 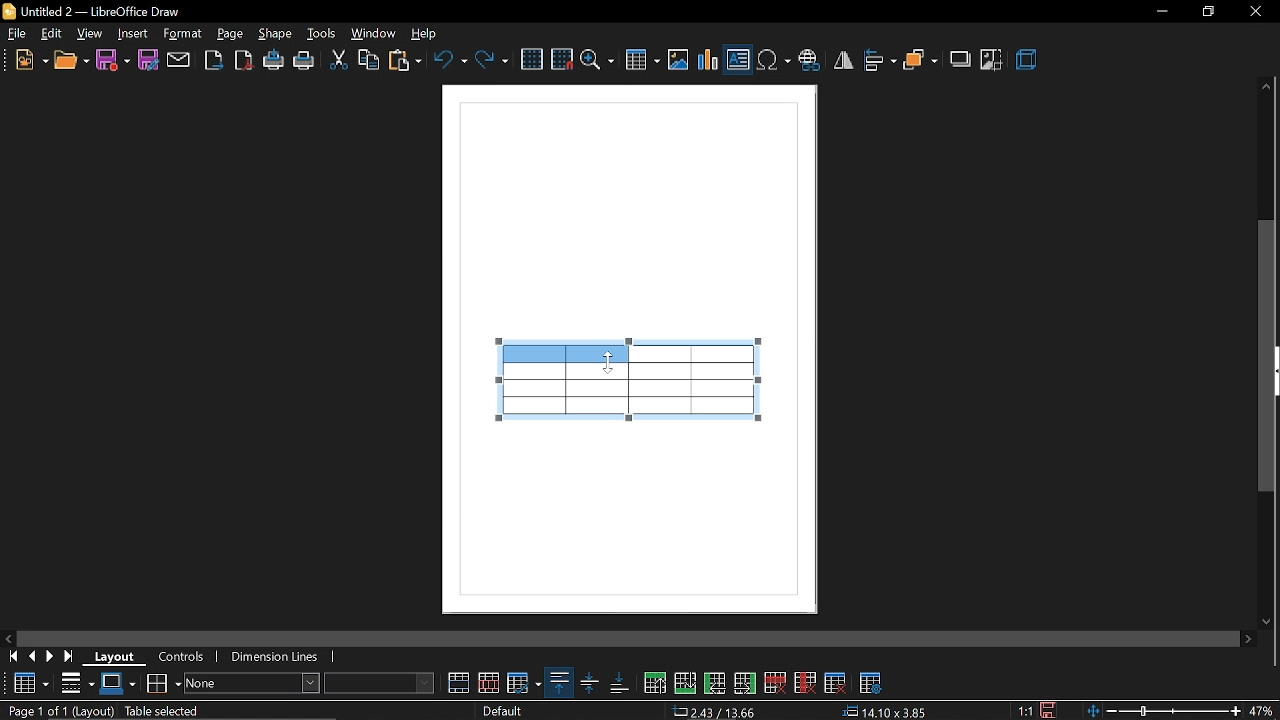 What do you see at coordinates (1250, 638) in the screenshot?
I see `move right` at bounding box center [1250, 638].